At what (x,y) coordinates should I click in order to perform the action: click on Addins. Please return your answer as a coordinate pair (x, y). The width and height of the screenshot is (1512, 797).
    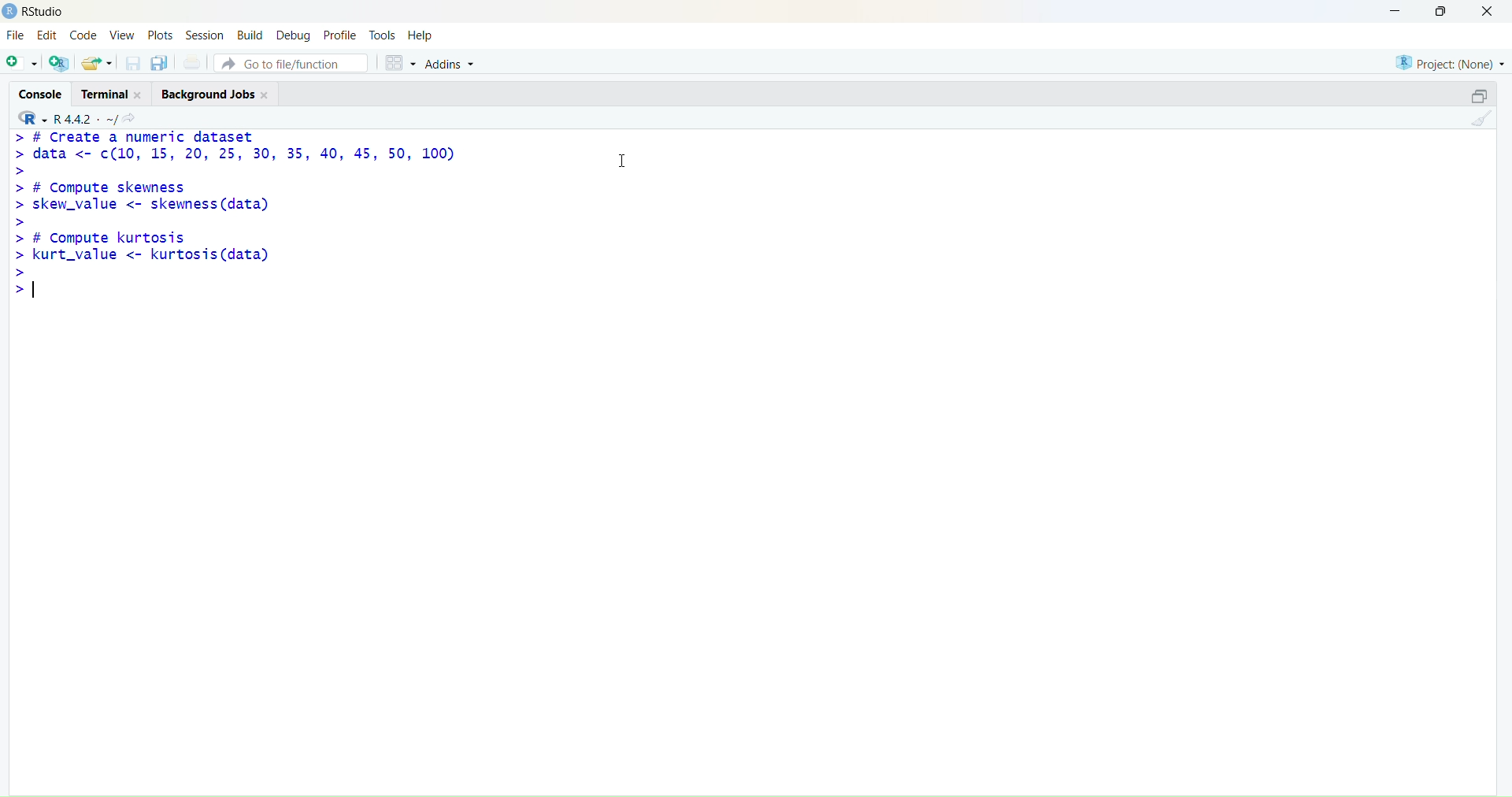
    Looking at the image, I should click on (455, 63).